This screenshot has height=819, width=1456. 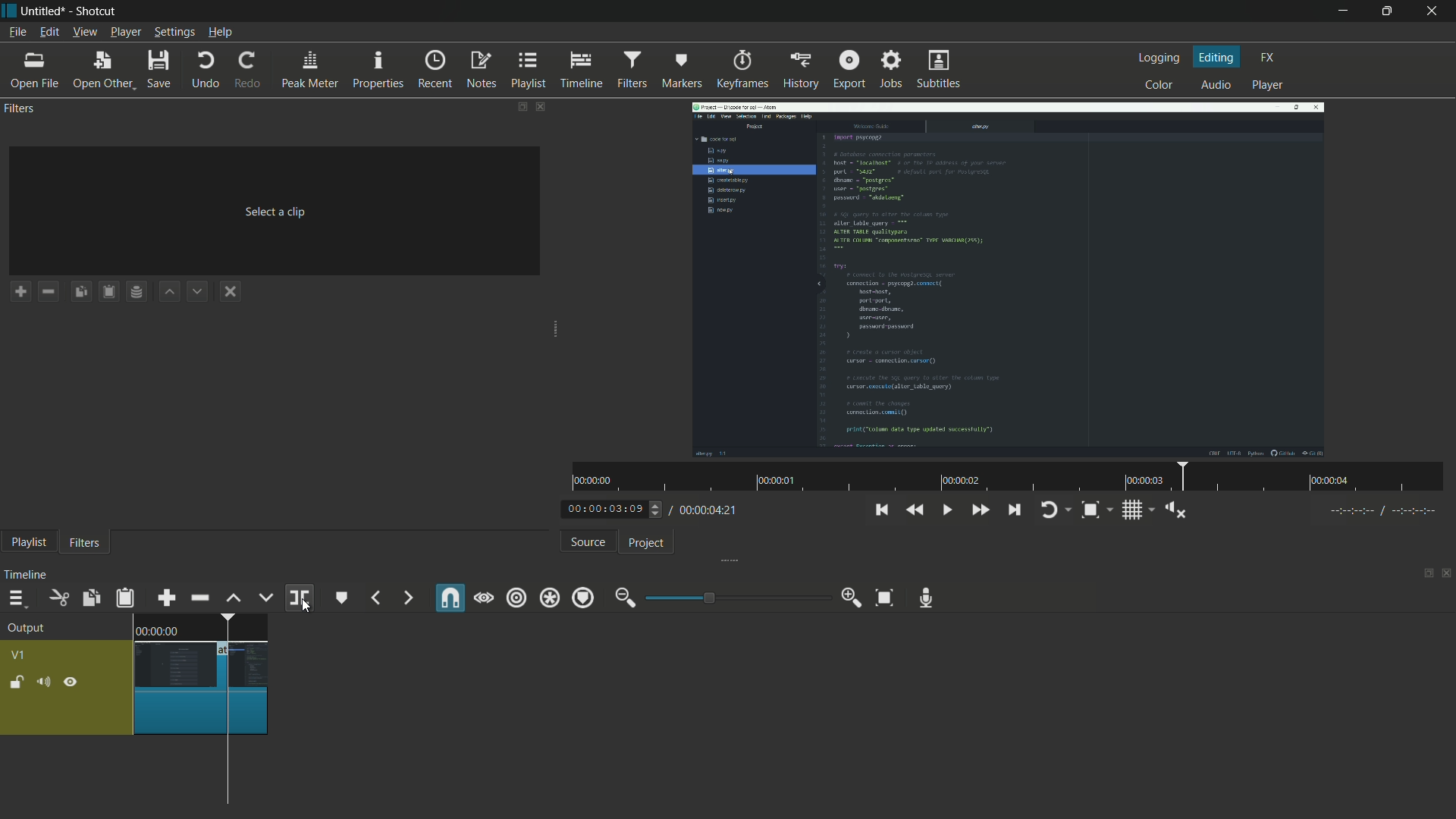 What do you see at coordinates (1447, 574) in the screenshot?
I see `close timeline` at bounding box center [1447, 574].